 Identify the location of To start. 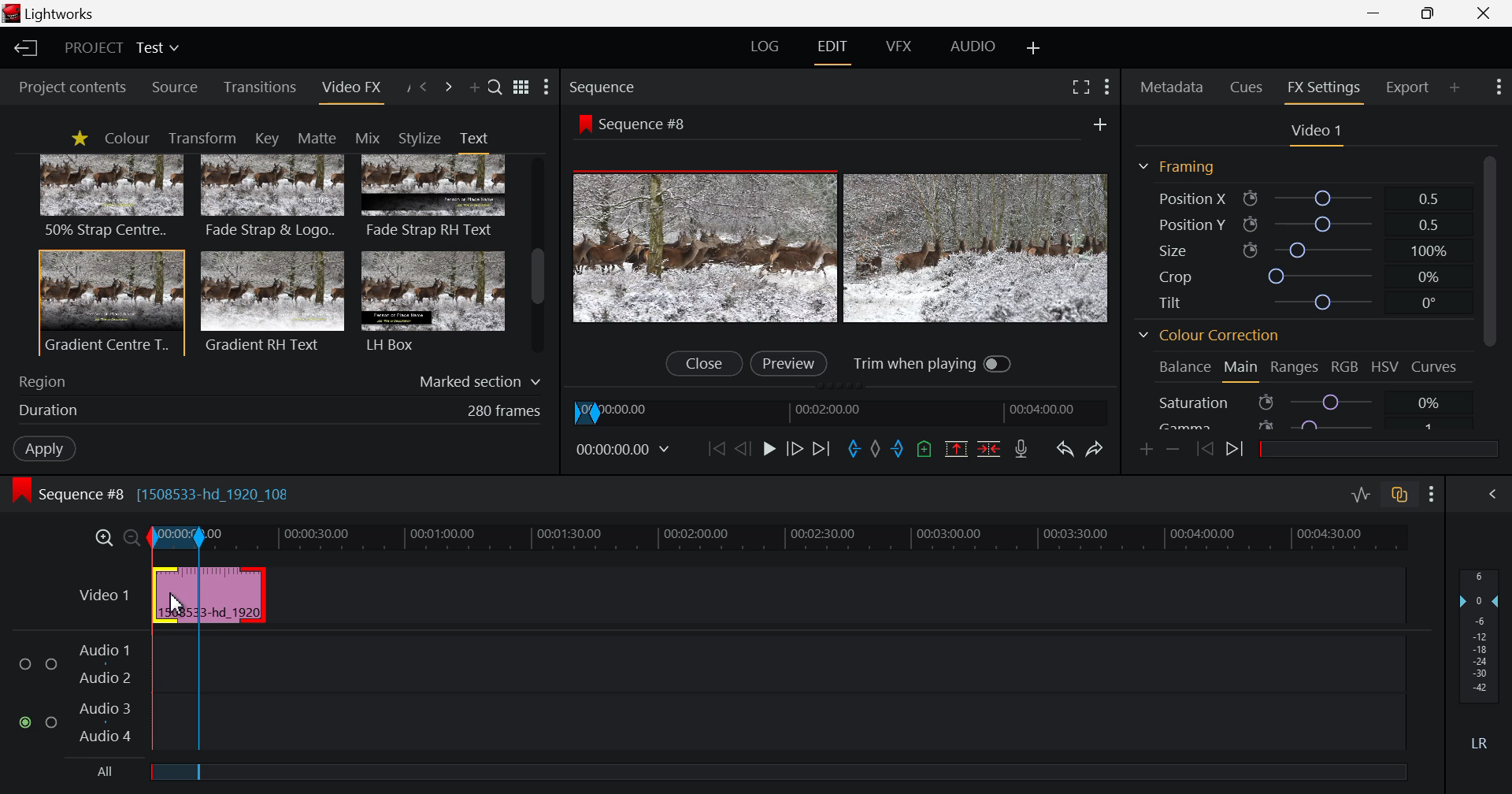
(714, 451).